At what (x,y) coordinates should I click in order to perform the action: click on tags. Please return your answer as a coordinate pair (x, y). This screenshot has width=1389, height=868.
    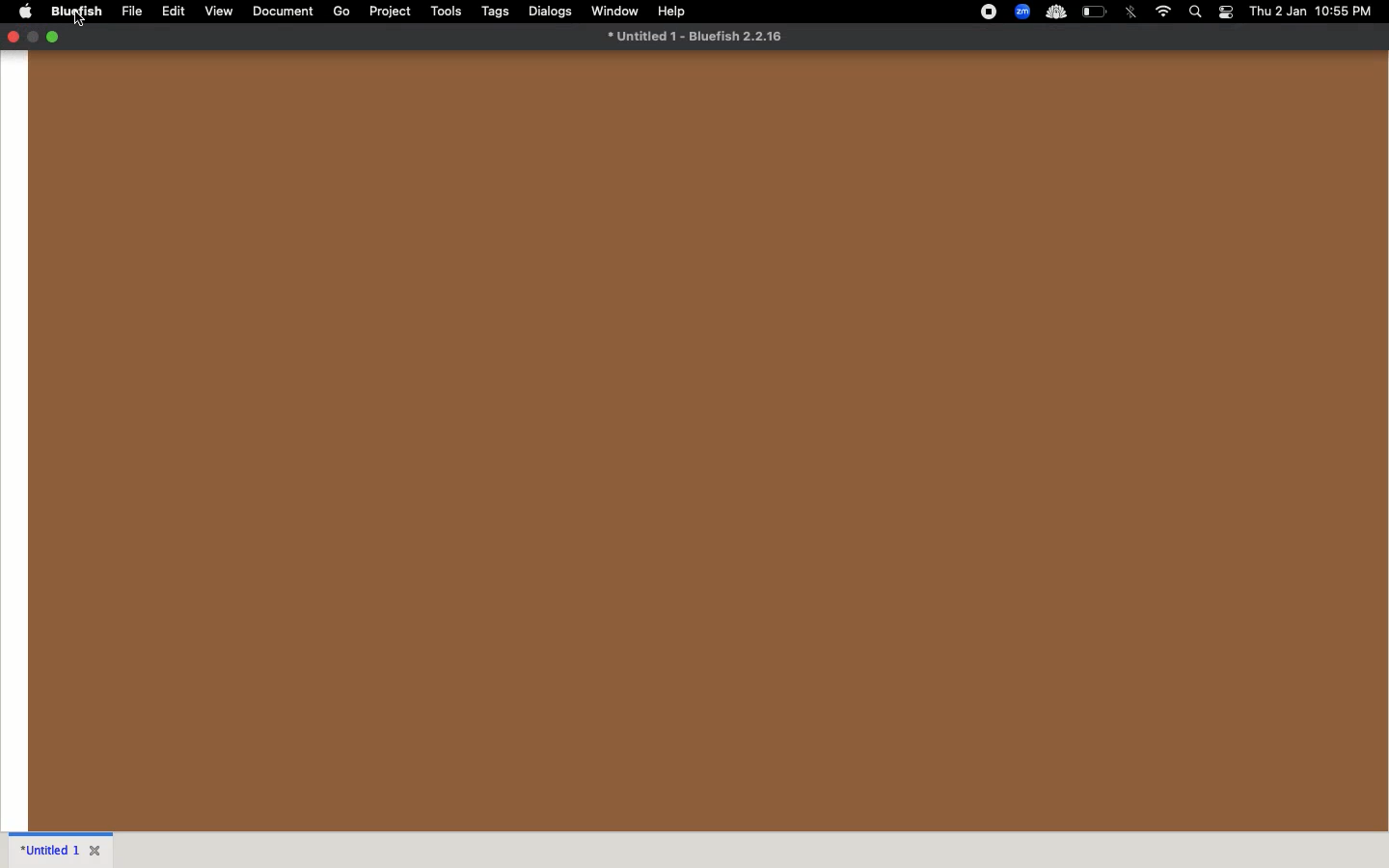
    Looking at the image, I should click on (498, 12).